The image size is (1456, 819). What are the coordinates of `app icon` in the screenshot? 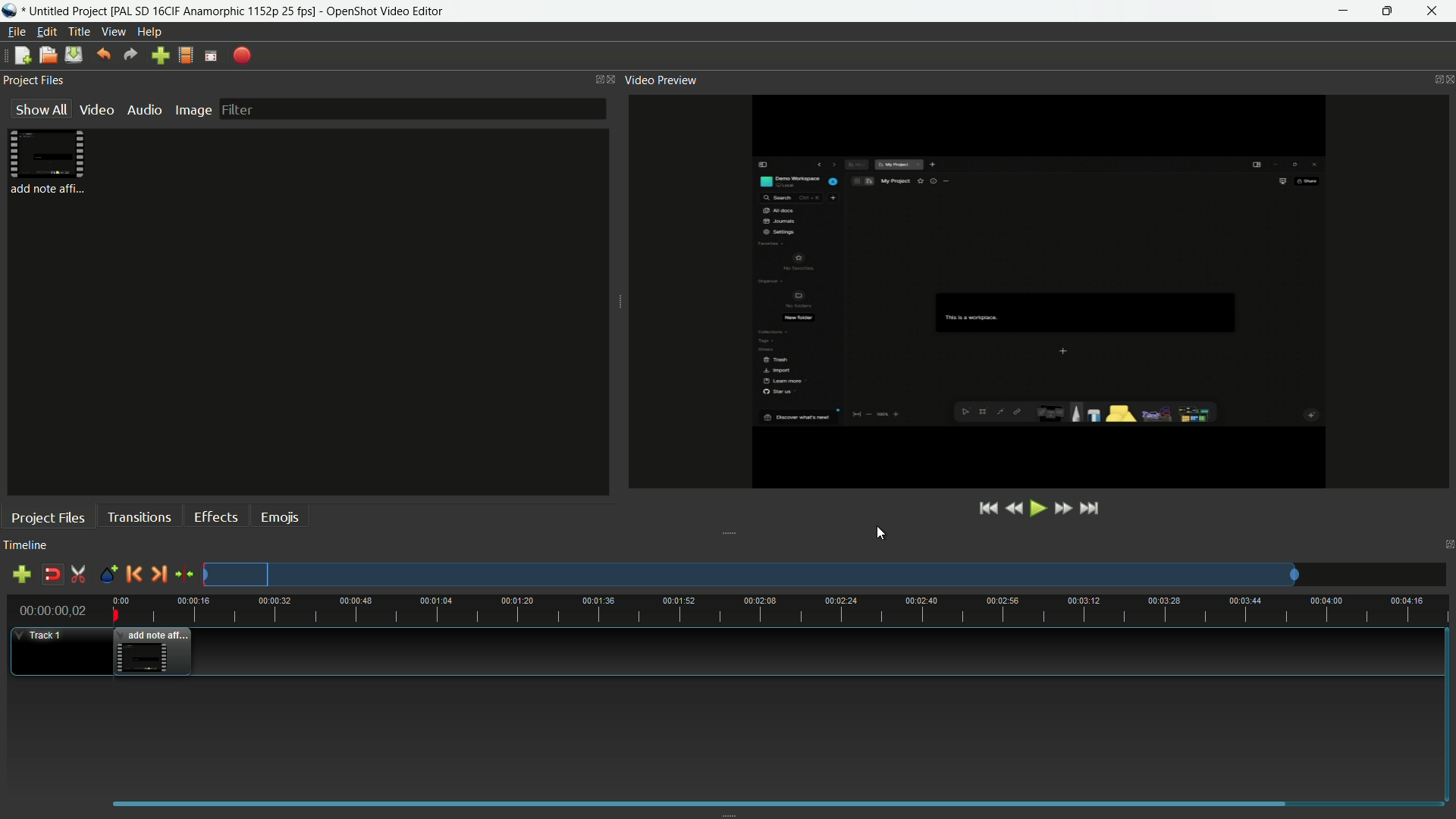 It's located at (12, 11).